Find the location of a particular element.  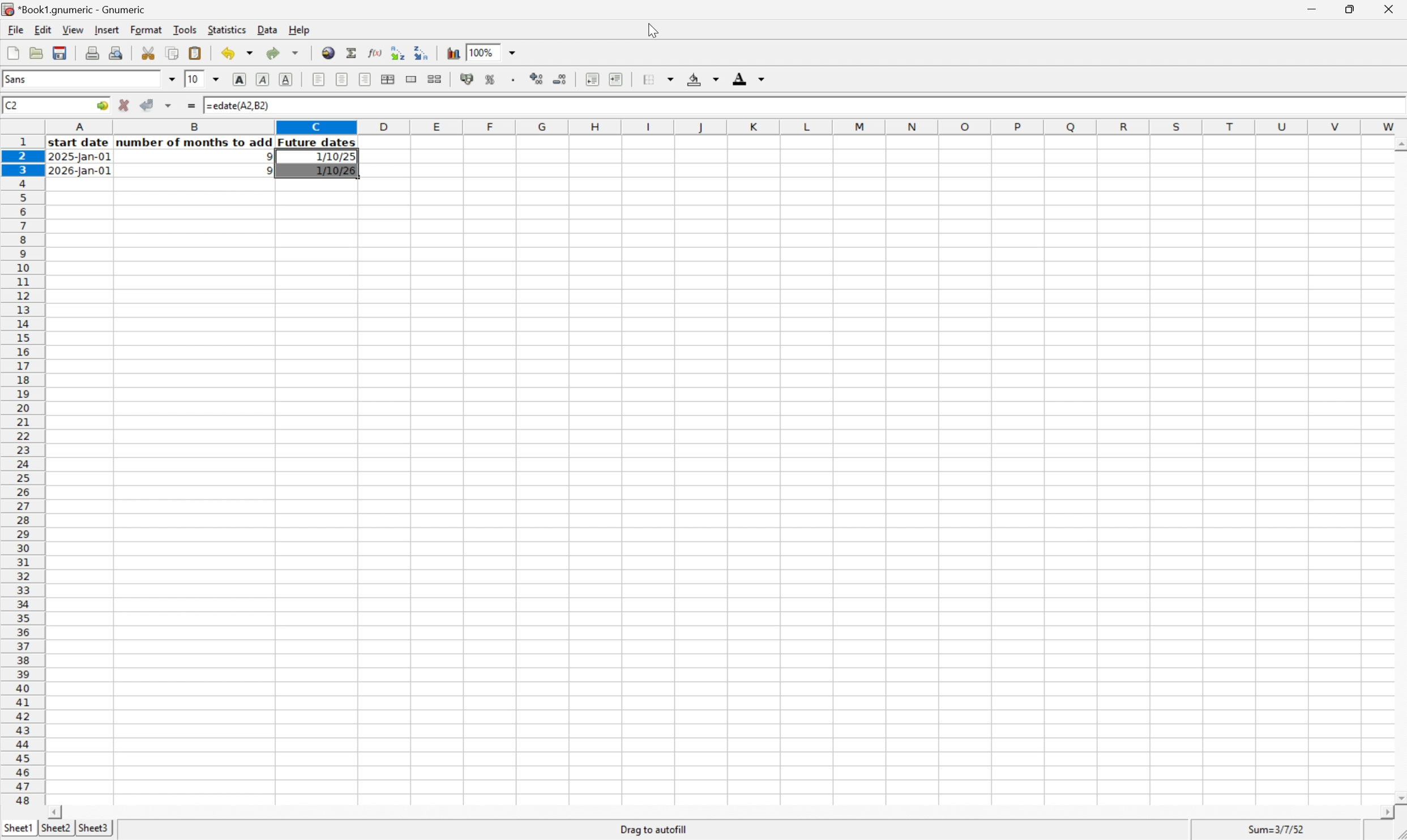

Scroll Down is located at coordinates (1398, 796).